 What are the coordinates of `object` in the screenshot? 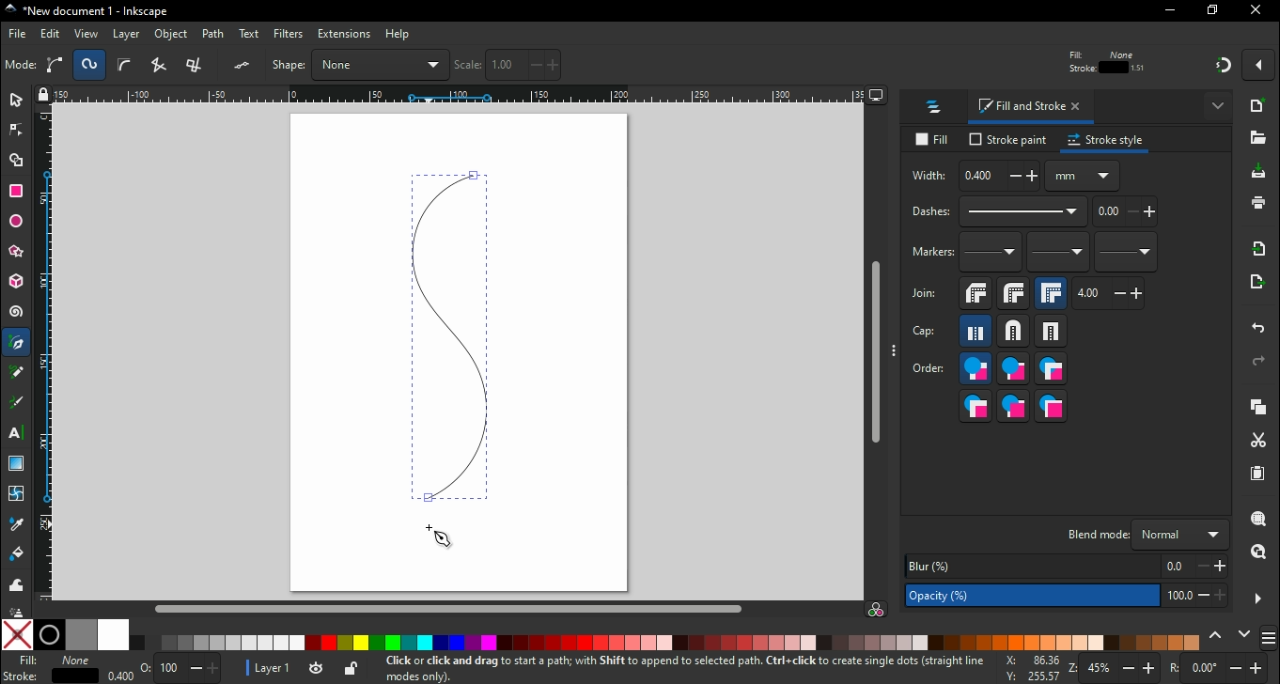 It's located at (172, 35).